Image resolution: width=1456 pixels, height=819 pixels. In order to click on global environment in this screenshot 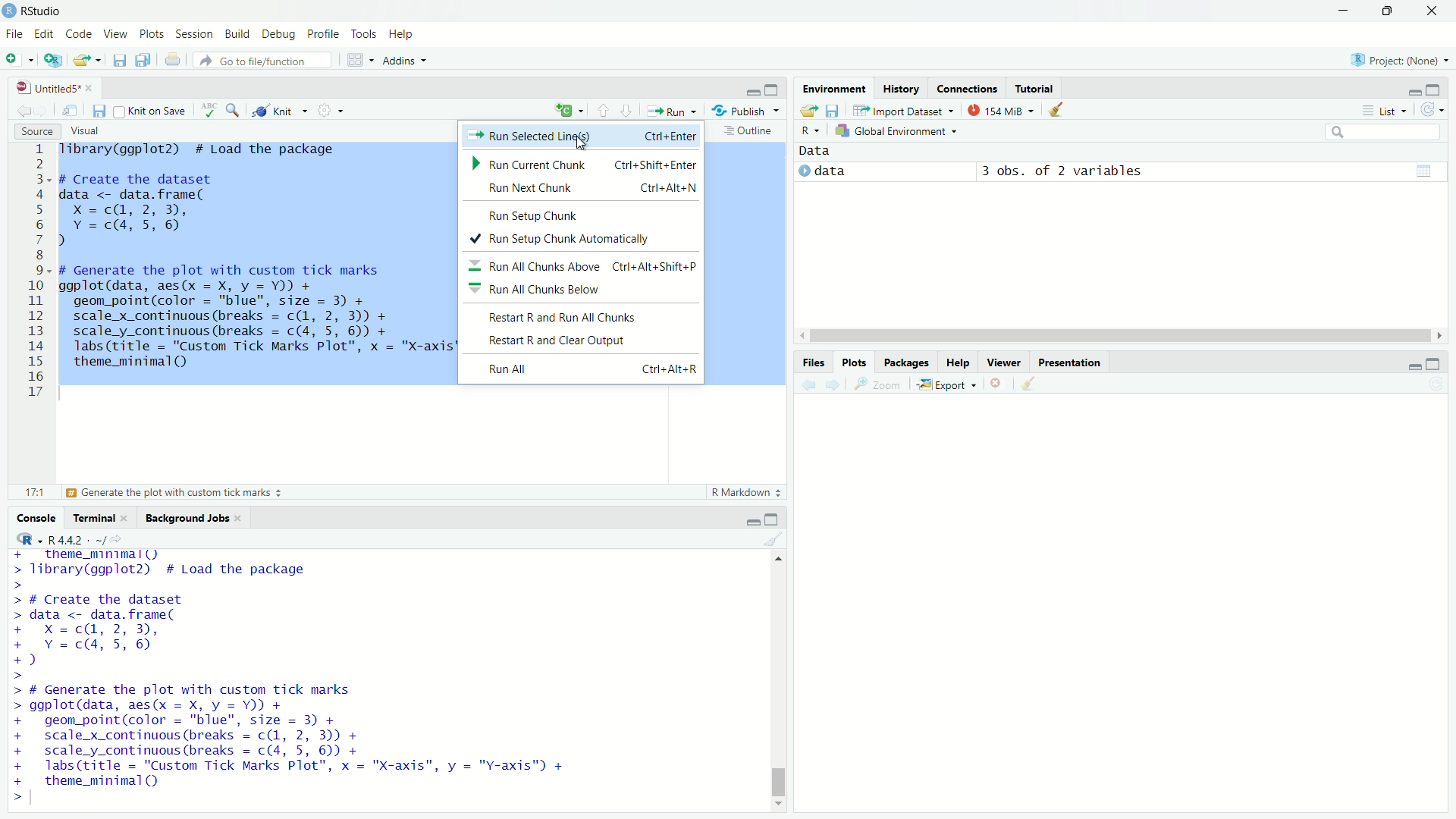, I will do `click(896, 132)`.